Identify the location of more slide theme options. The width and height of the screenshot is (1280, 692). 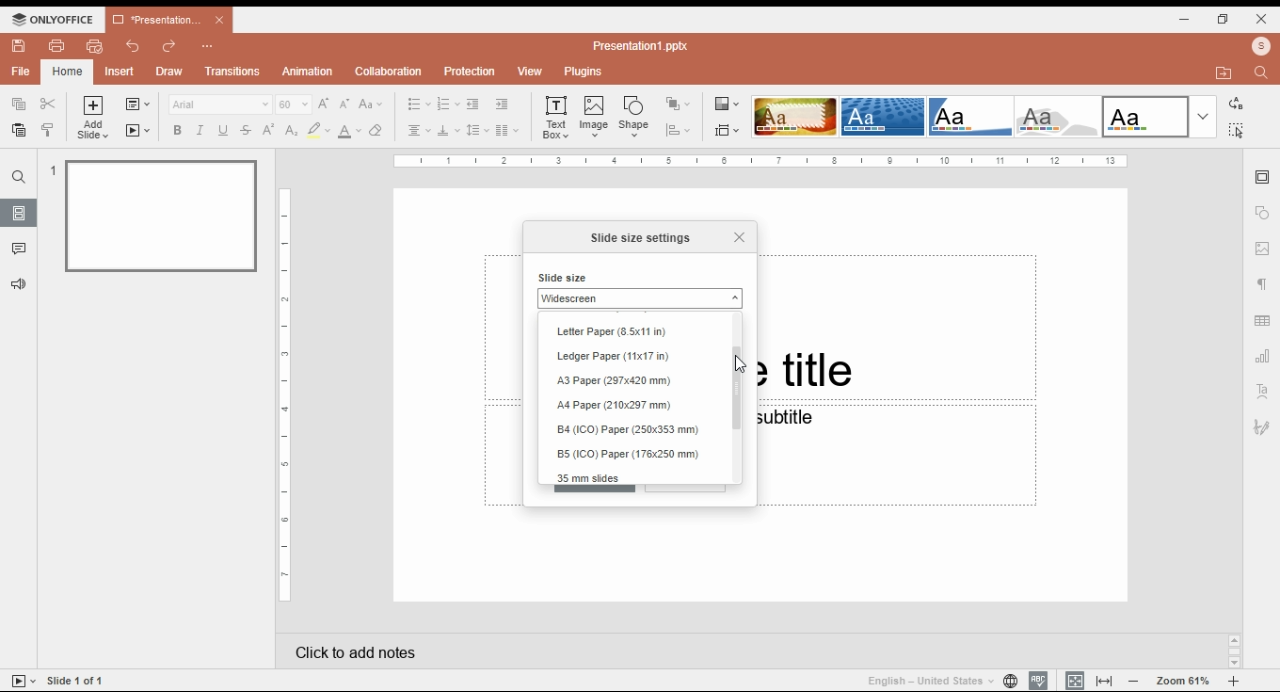
(1203, 117).